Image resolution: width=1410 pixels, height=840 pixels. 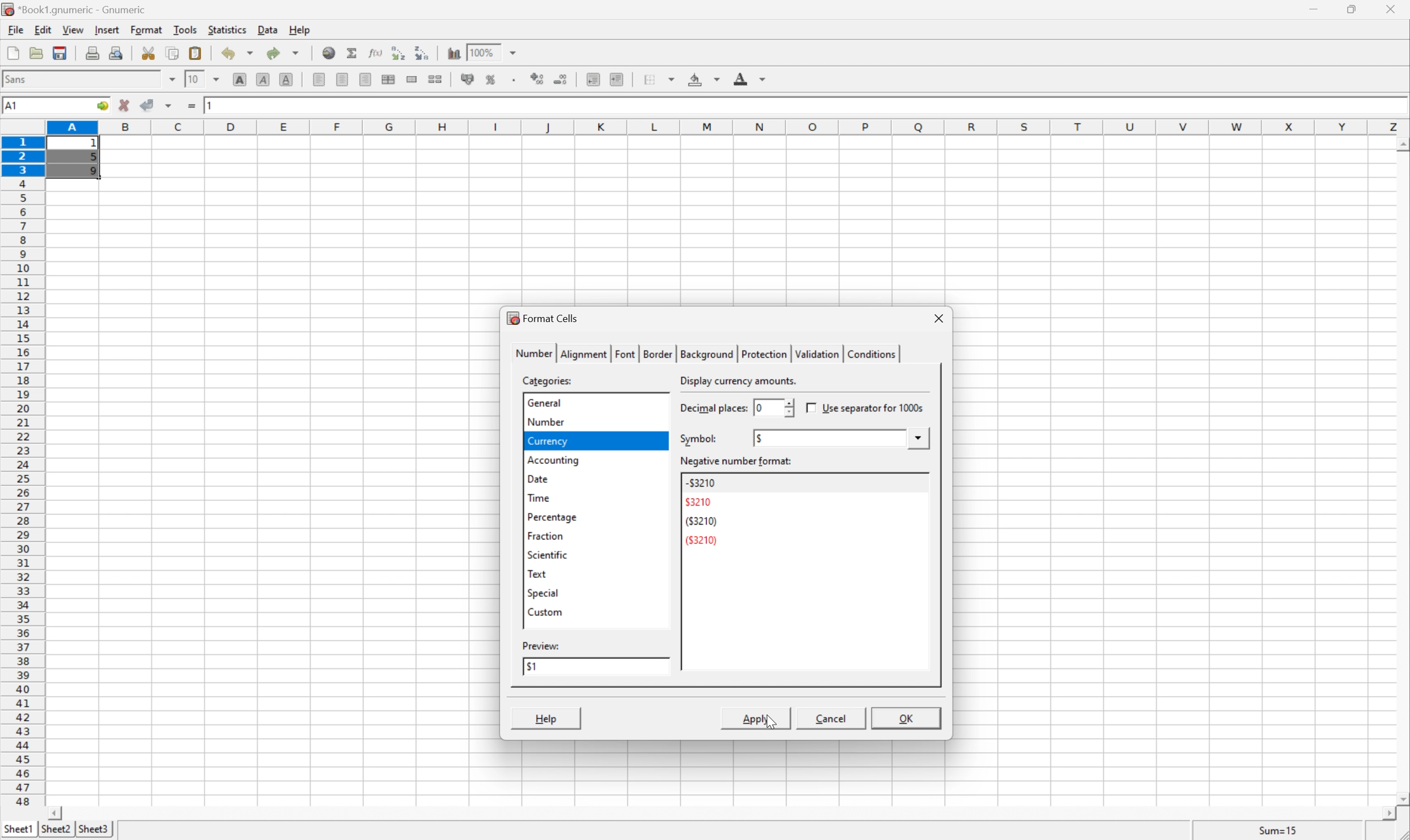 What do you see at coordinates (283, 53) in the screenshot?
I see `redo` at bounding box center [283, 53].